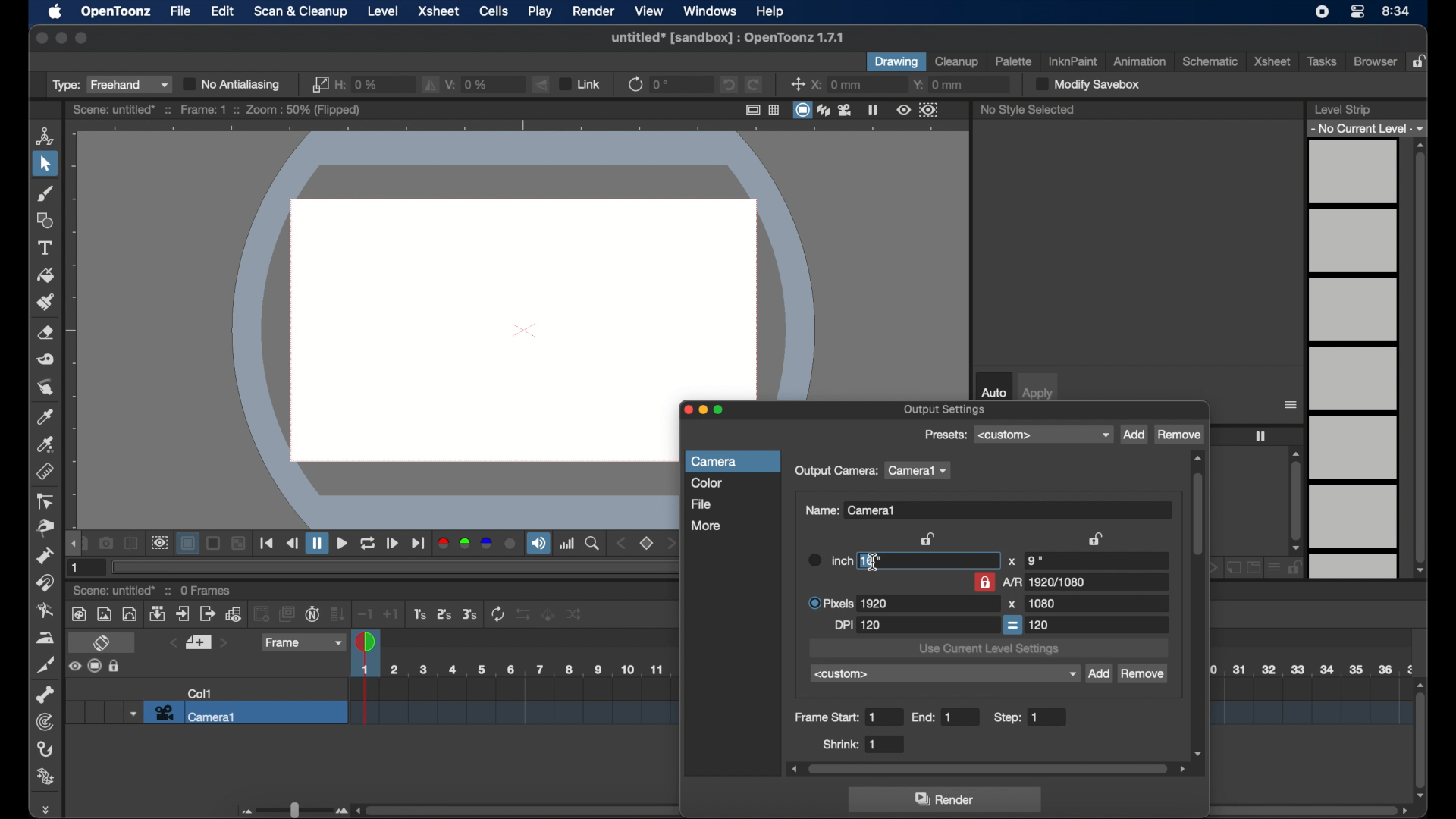  I want to click on shrink, so click(851, 744).